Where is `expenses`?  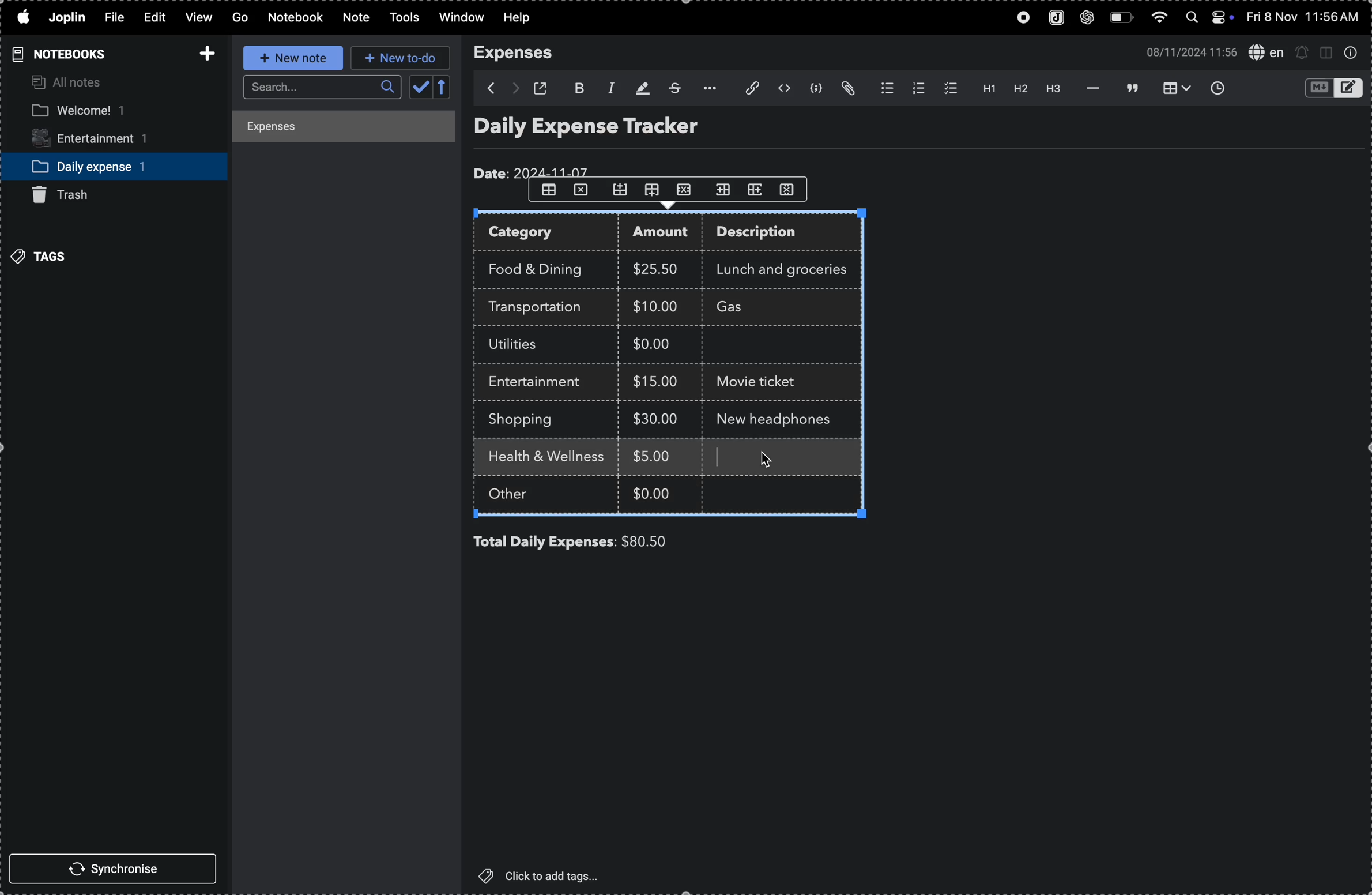
expenses is located at coordinates (333, 129).